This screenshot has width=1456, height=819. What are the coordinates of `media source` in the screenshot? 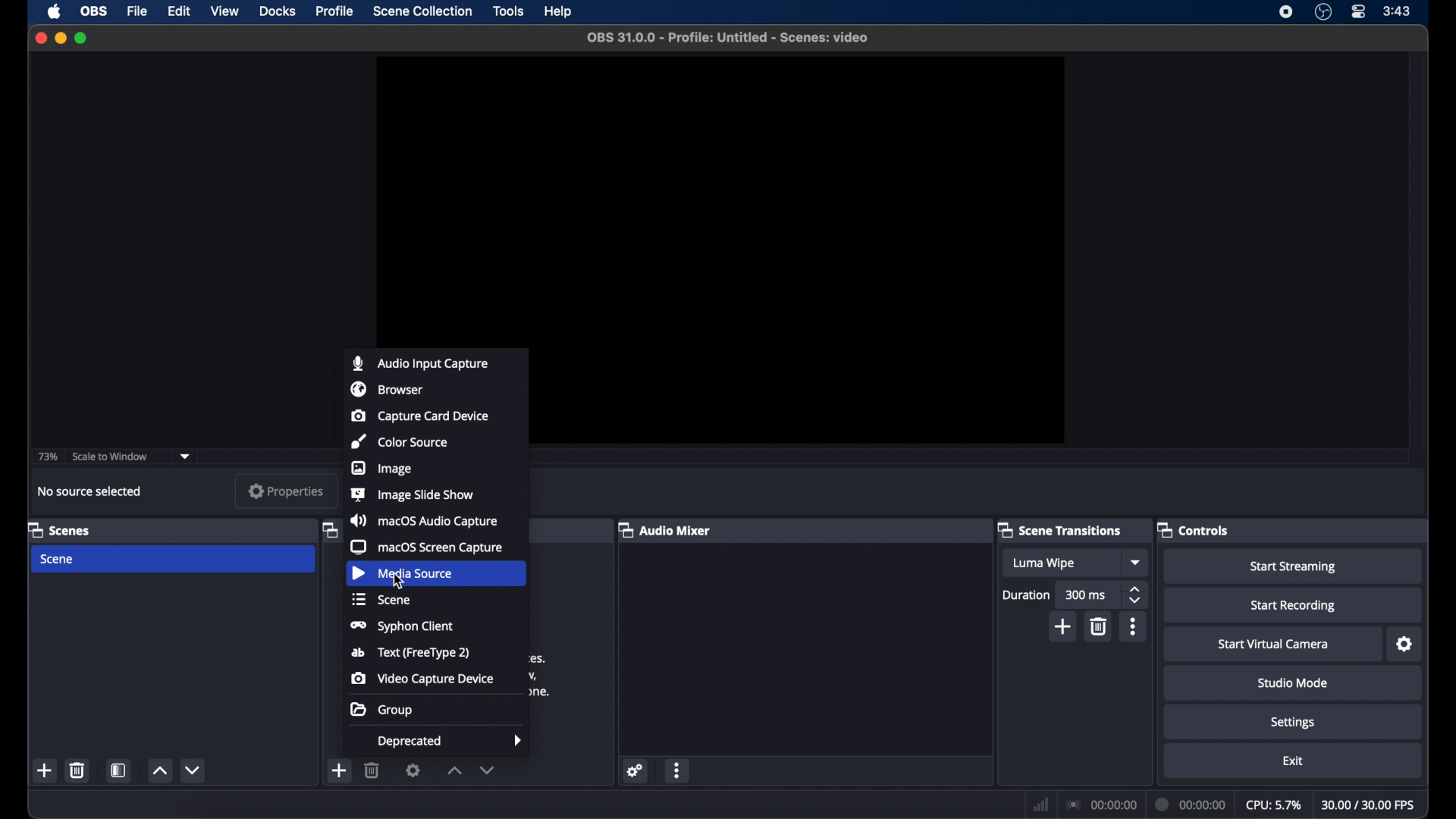 It's located at (402, 574).